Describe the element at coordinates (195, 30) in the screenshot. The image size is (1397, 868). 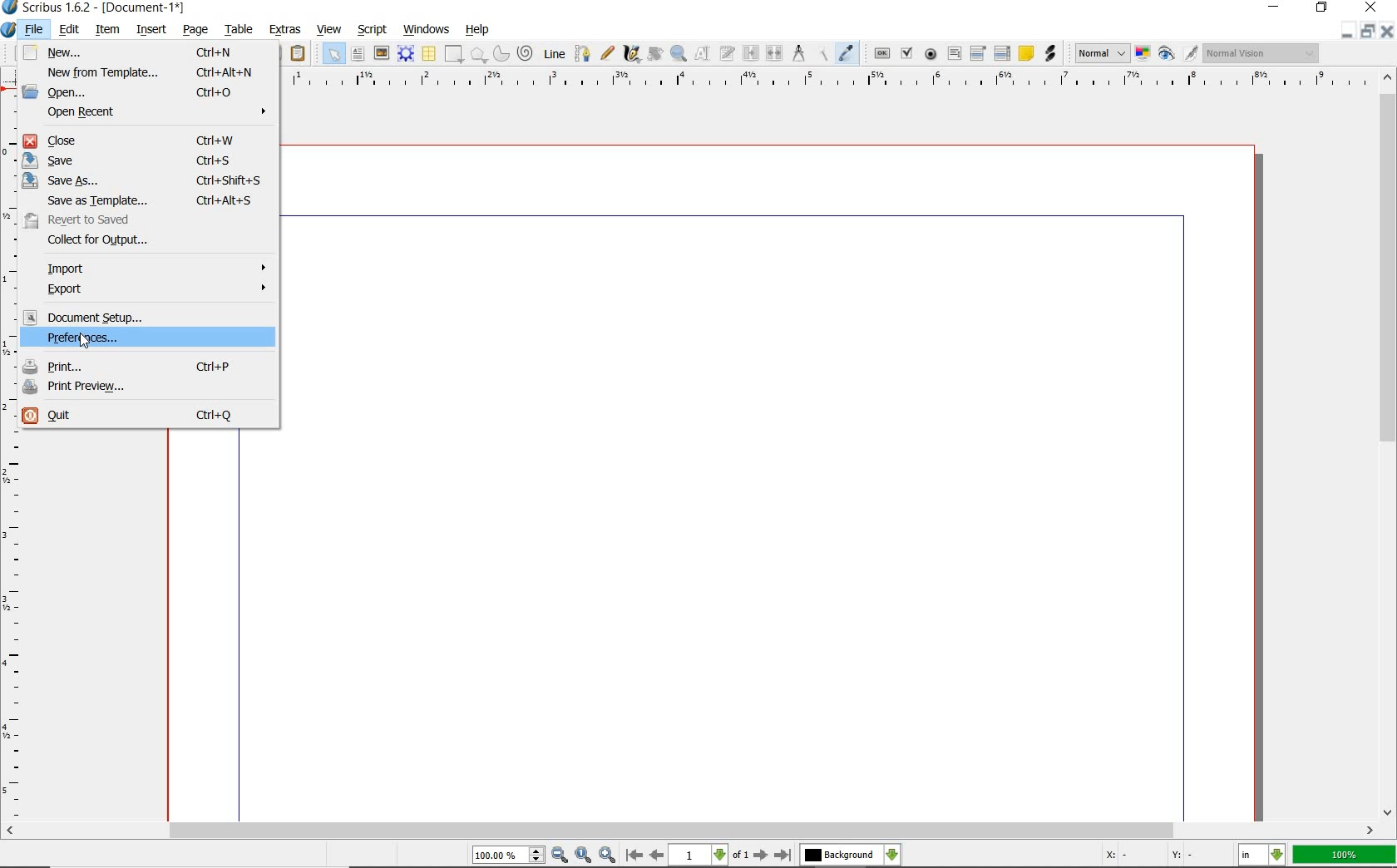
I see `page` at that location.